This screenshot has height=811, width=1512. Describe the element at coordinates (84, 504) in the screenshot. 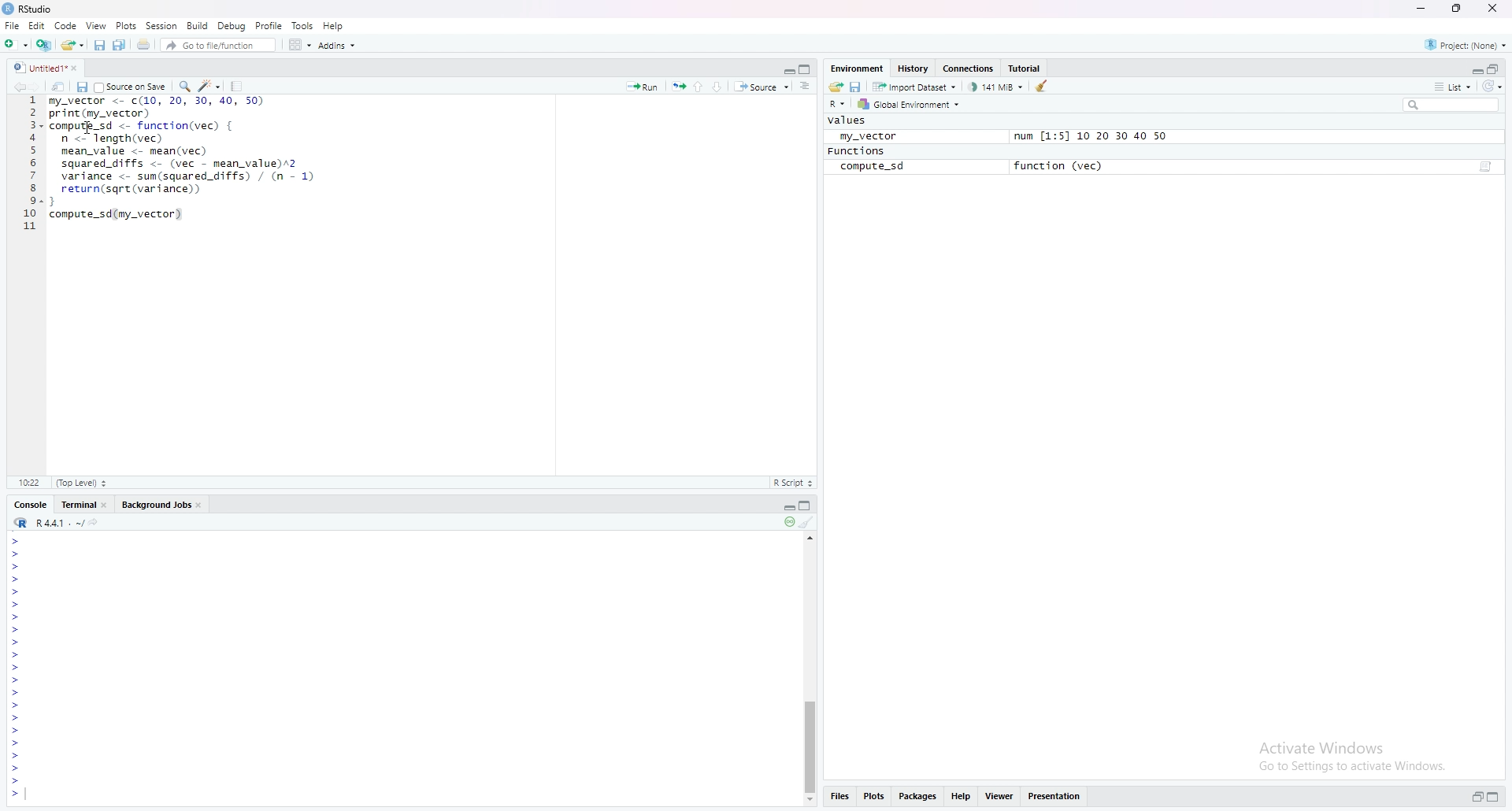

I see `Terminal` at that location.